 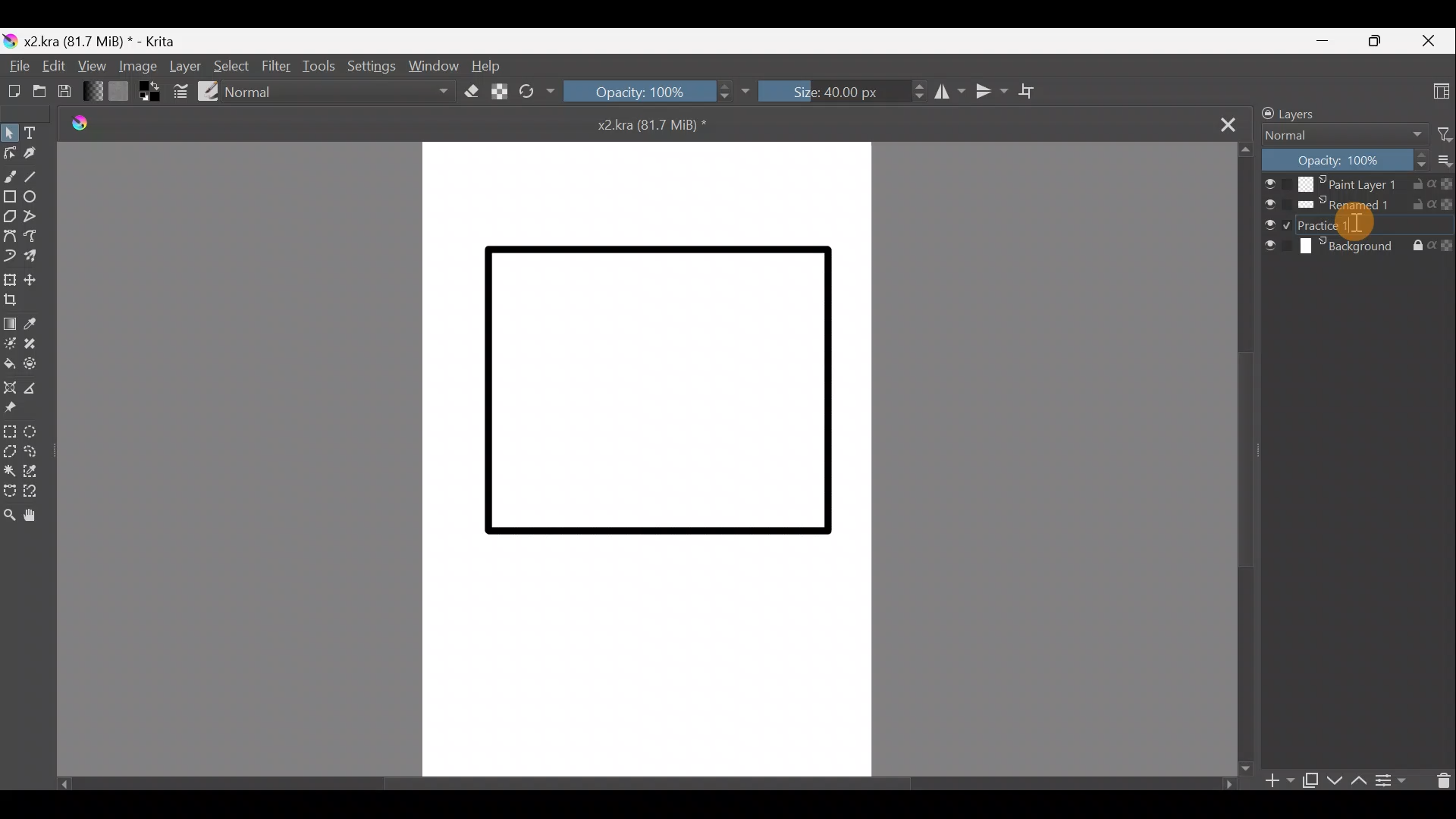 I want to click on File, so click(x=17, y=65).